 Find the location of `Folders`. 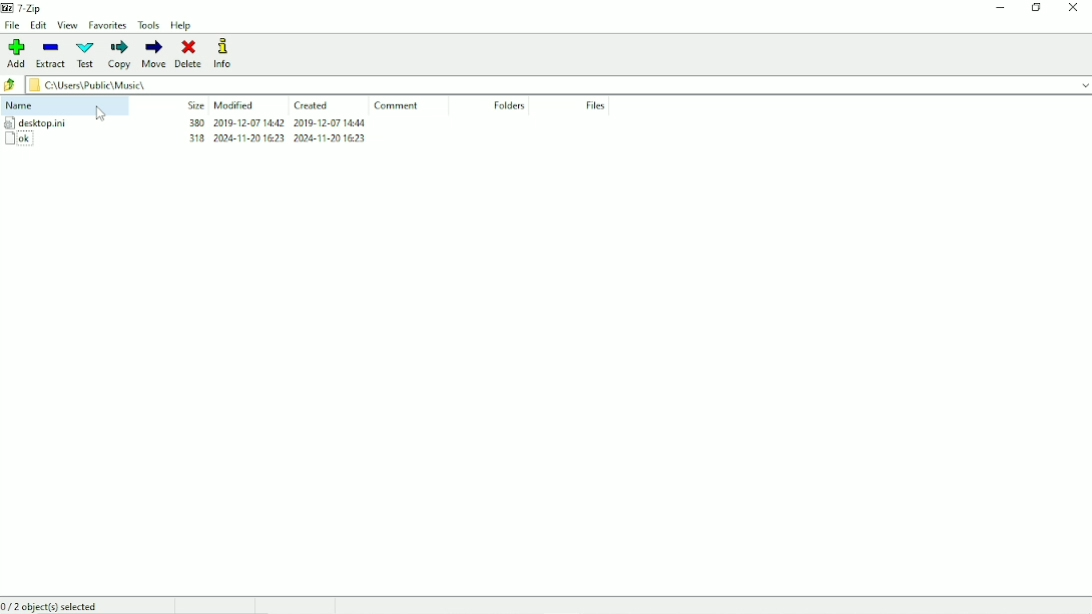

Folders is located at coordinates (511, 107).